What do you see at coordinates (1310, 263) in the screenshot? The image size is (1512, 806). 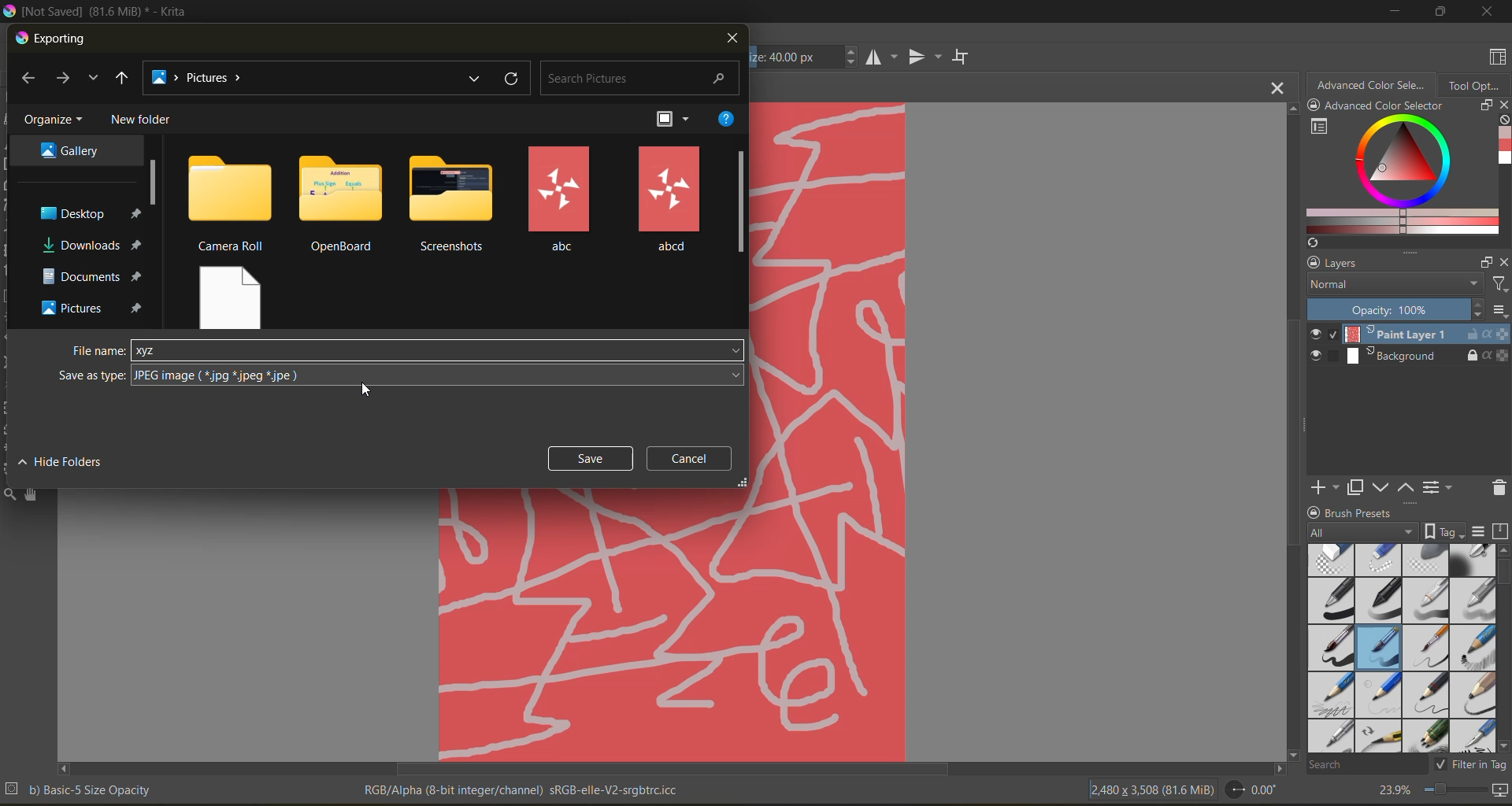 I see `lock/unlock docker` at bounding box center [1310, 263].